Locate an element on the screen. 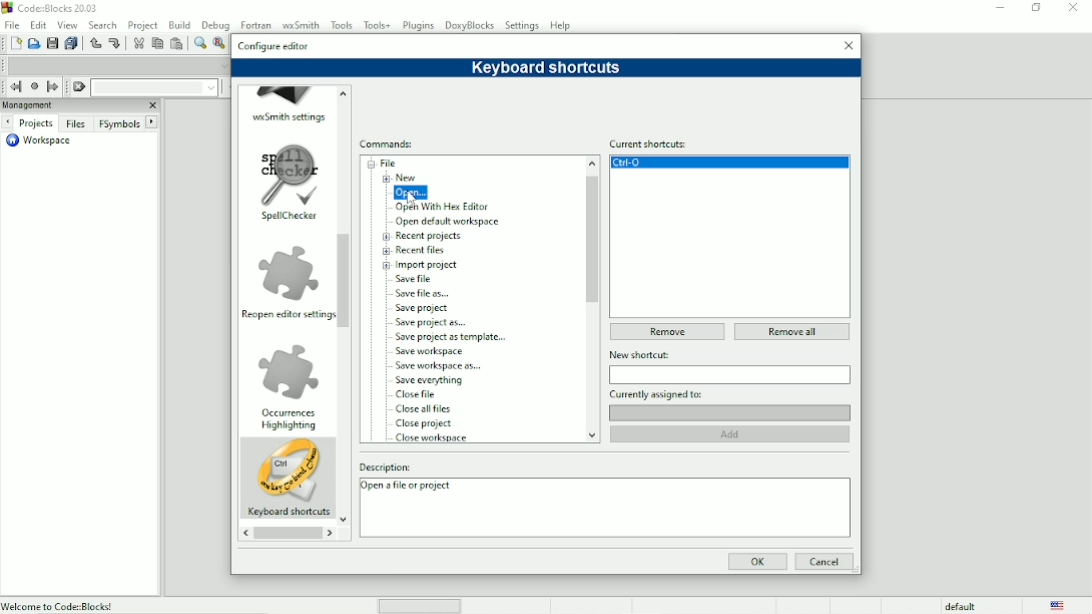 The image size is (1092, 614). Paste is located at coordinates (176, 43).